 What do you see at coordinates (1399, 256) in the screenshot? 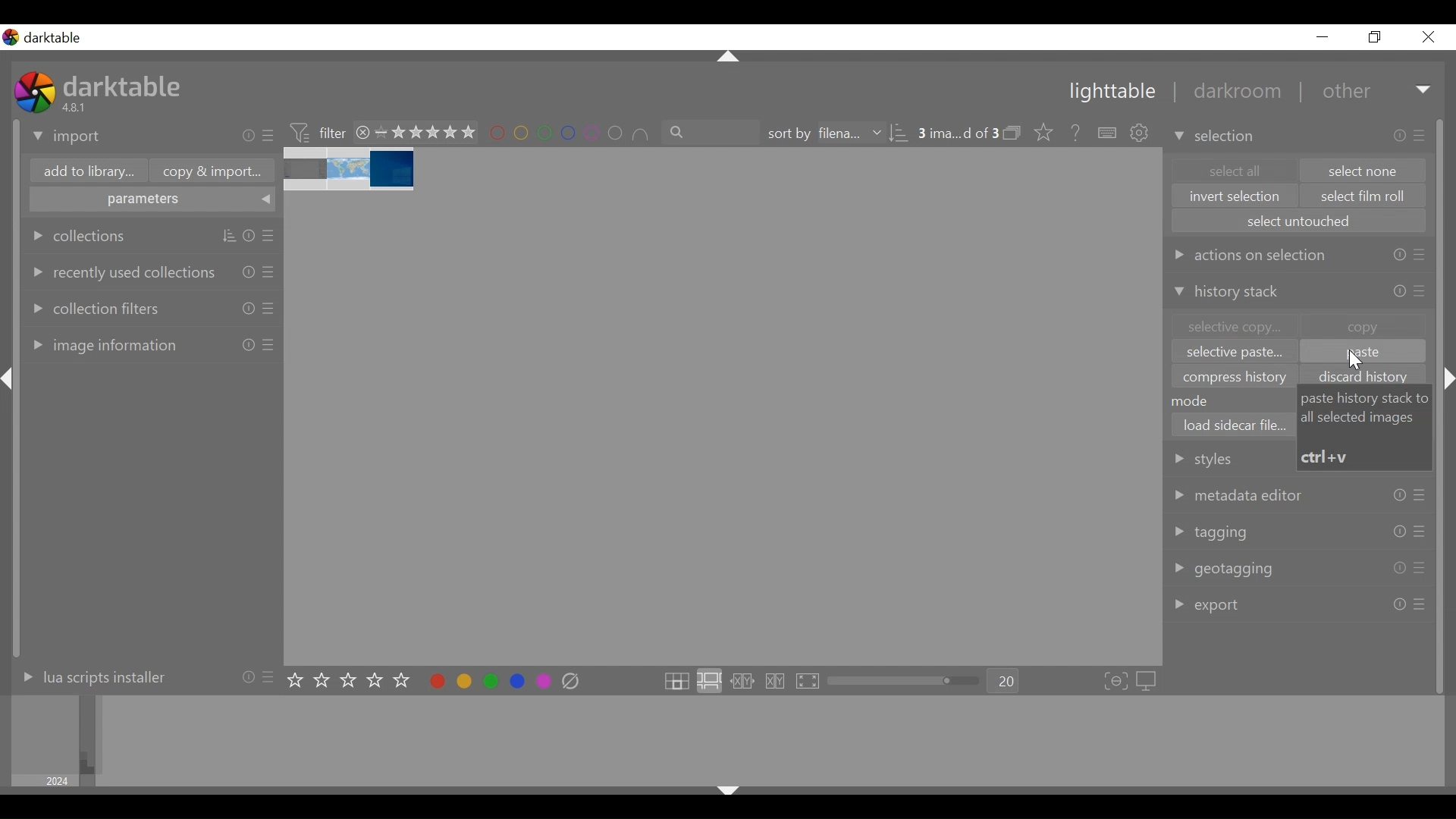
I see `info` at bounding box center [1399, 256].